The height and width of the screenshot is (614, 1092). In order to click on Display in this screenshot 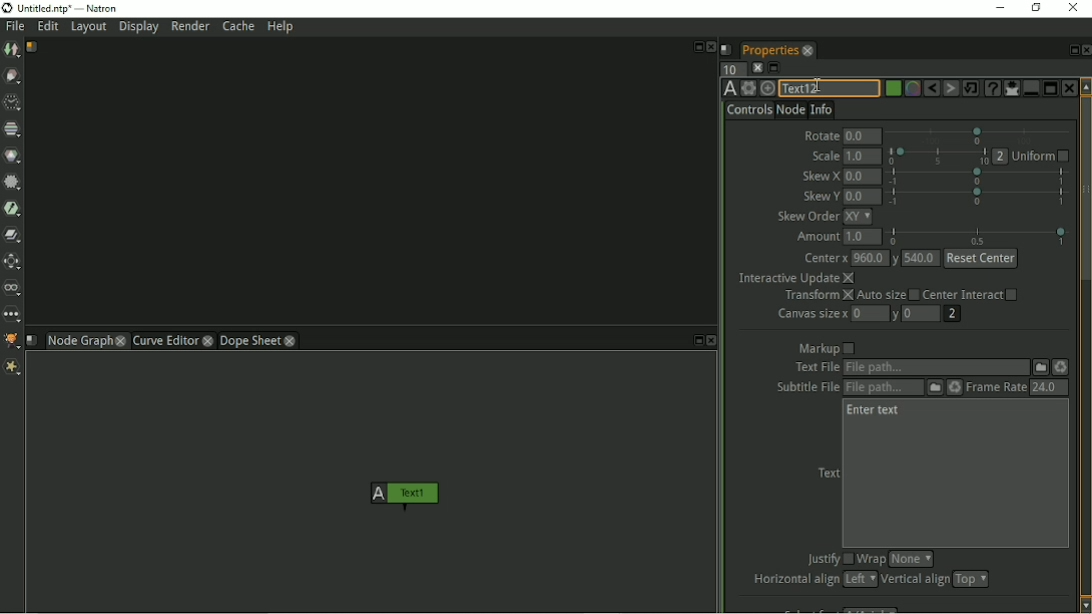, I will do `click(140, 28)`.